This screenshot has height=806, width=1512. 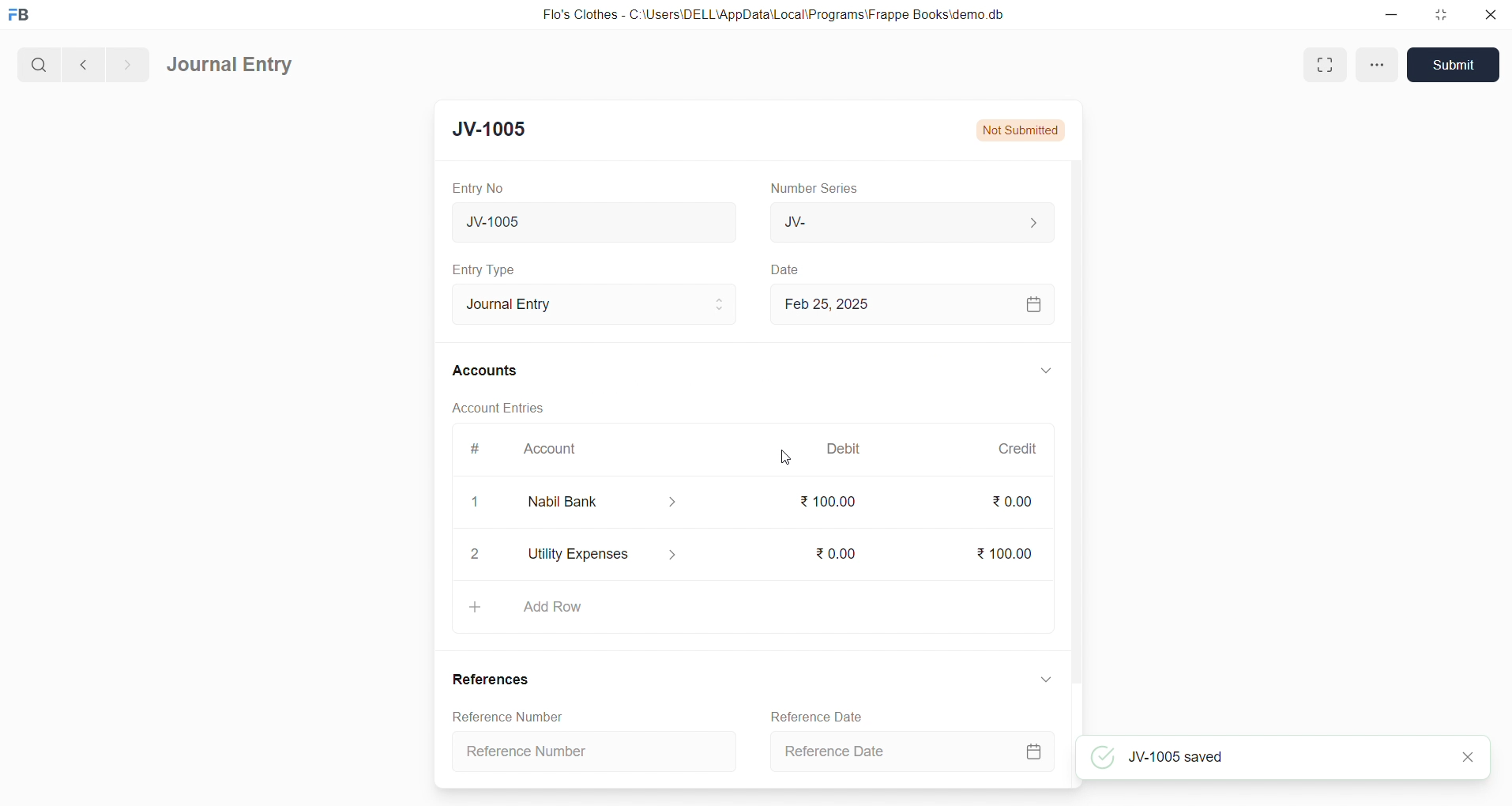 I want to click on ₹ 100.00, so click(x=1000, y=551).